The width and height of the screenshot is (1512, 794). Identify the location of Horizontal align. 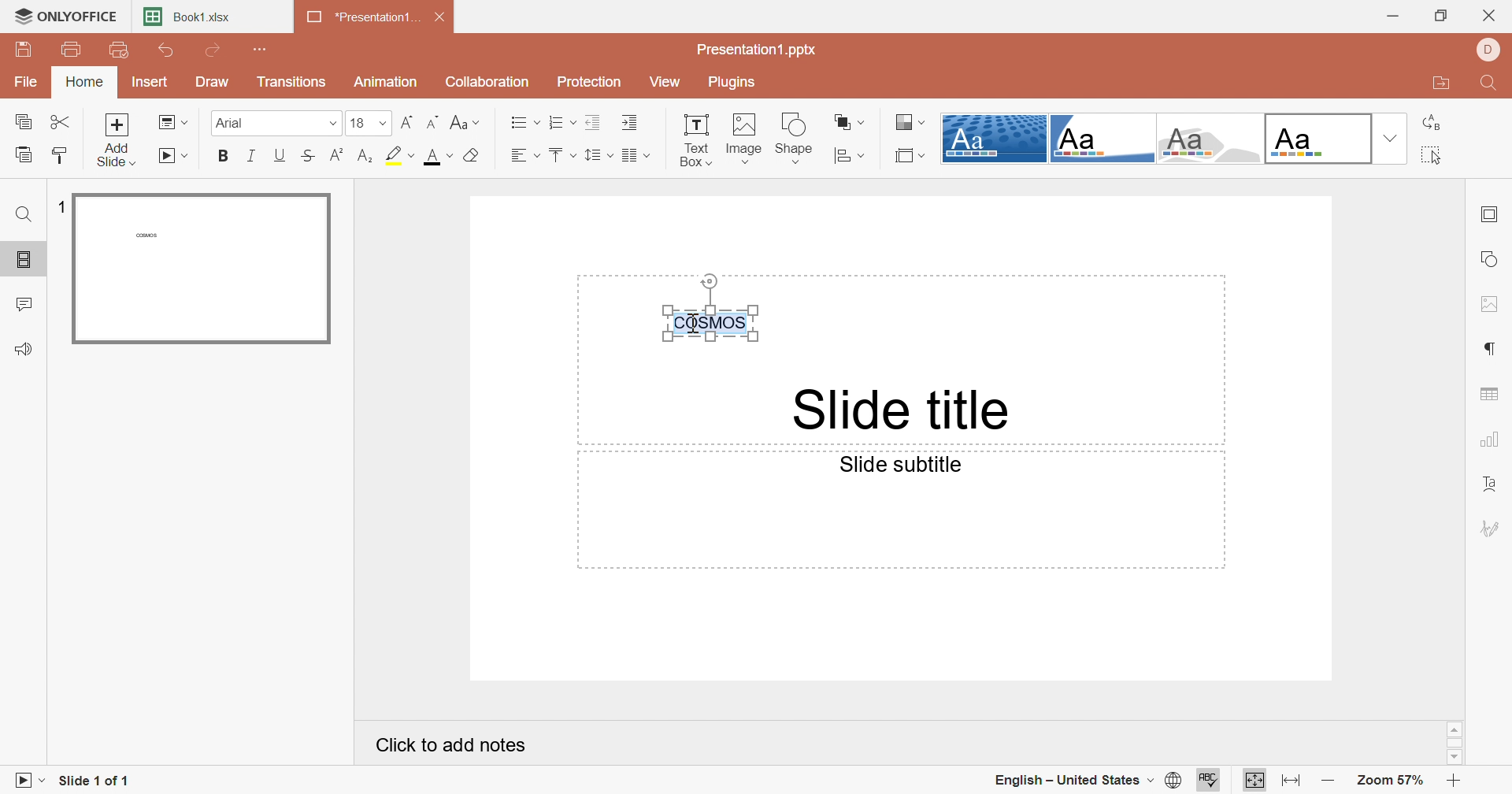
(519, 154).